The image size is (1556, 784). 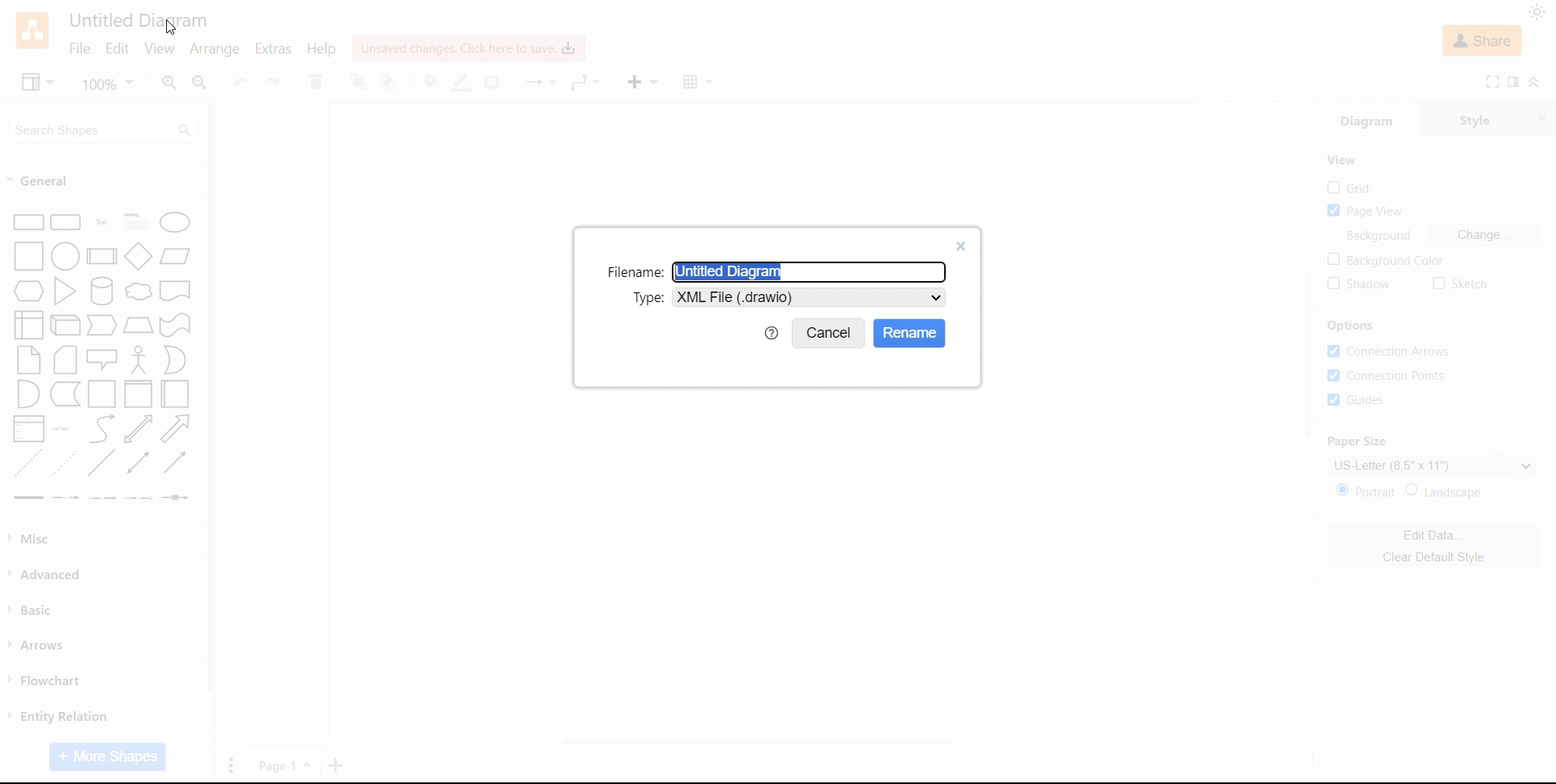 What do you see at coordinates (1366, 118) in the screenshot?
I see `Diagram ` at bounding box center [1366, 118].